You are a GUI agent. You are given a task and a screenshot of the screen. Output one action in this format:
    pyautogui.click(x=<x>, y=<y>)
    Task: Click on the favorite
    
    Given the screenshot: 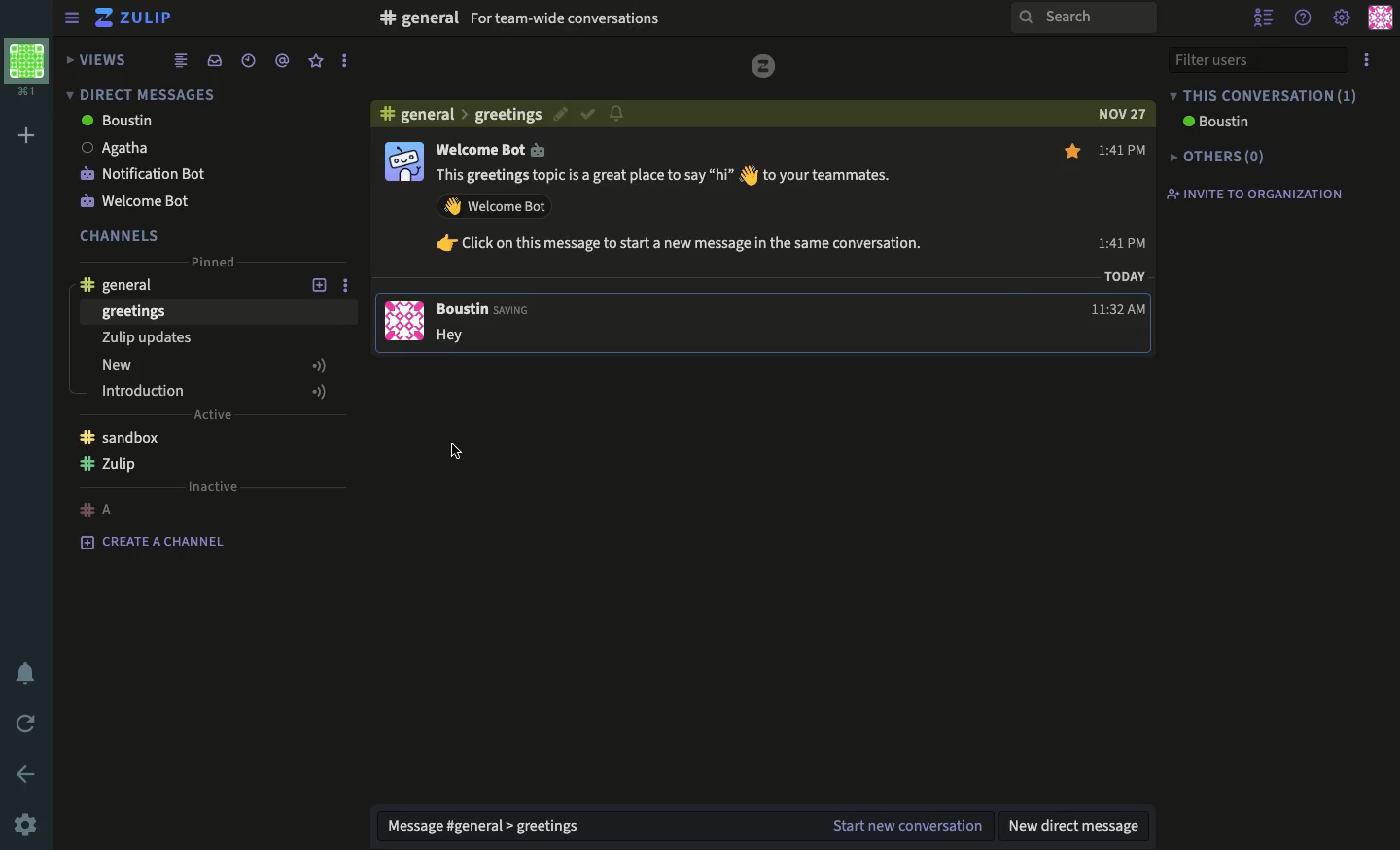 What is the action you would take?
    pyautogui.click(x=316, y=61)
    